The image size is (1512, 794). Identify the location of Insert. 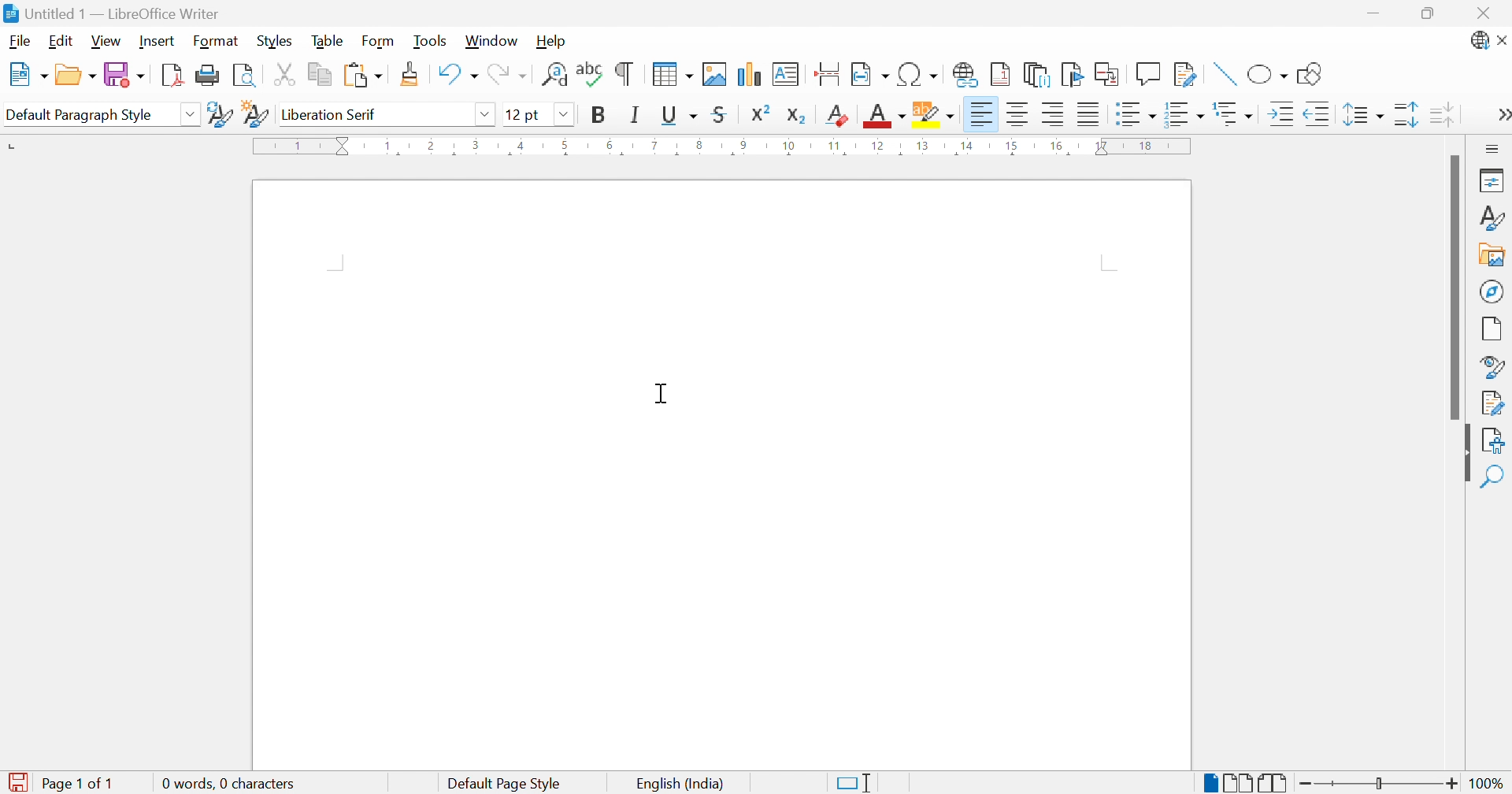
(157, 41).